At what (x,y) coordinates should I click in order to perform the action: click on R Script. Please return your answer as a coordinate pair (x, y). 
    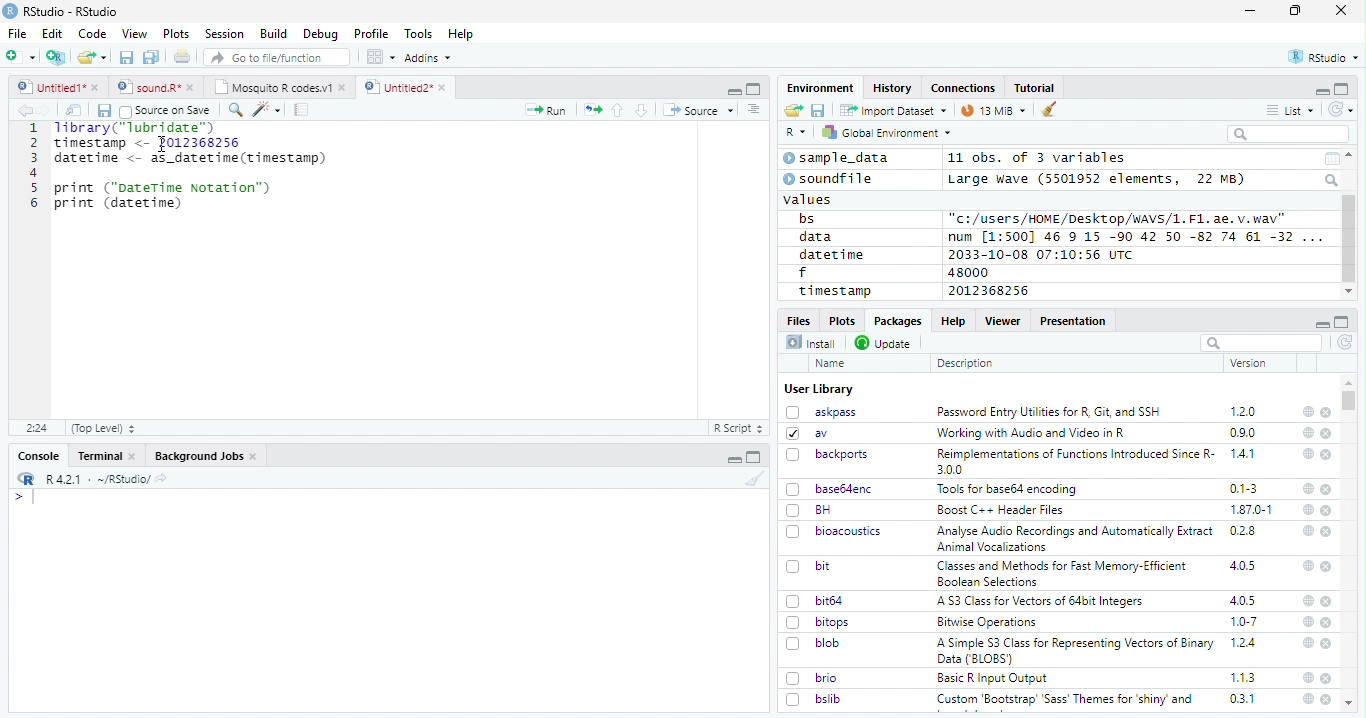
    Looking at the image, I should click on (737, 429).